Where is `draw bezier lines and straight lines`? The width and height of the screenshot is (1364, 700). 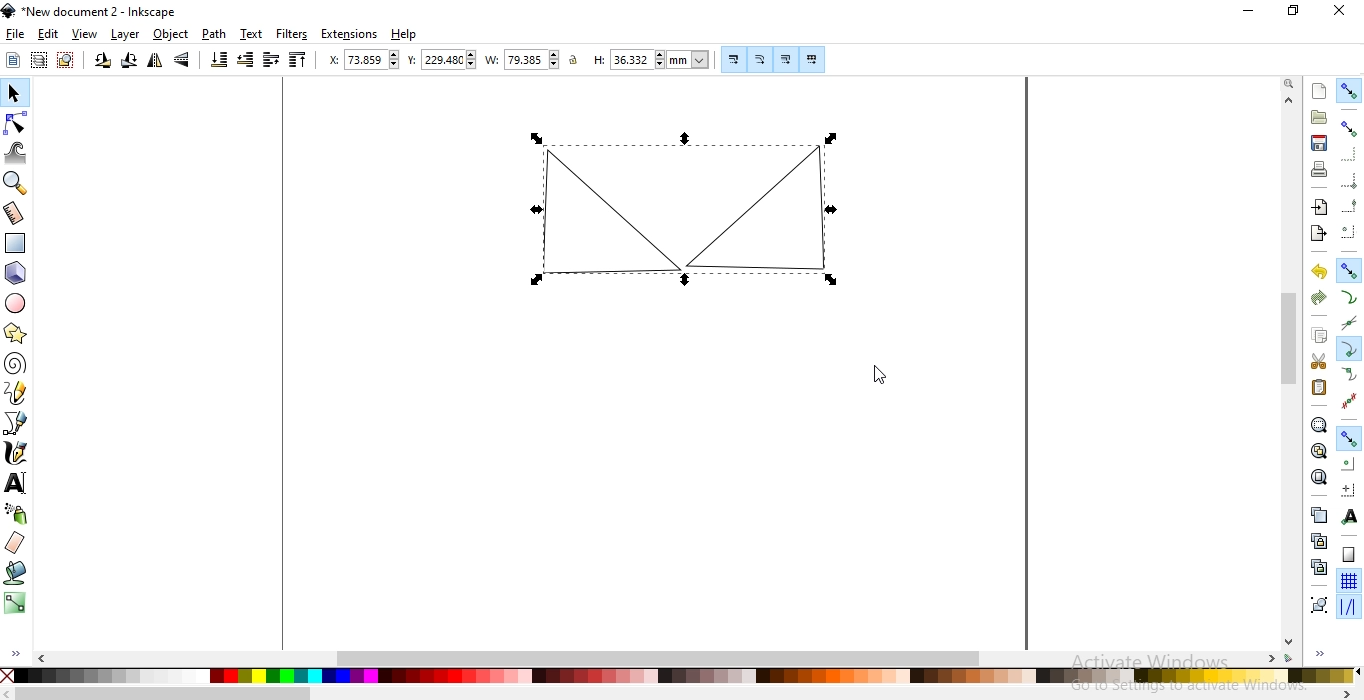 draw bezier lines and straight lines is located at coordinates (18, 425).